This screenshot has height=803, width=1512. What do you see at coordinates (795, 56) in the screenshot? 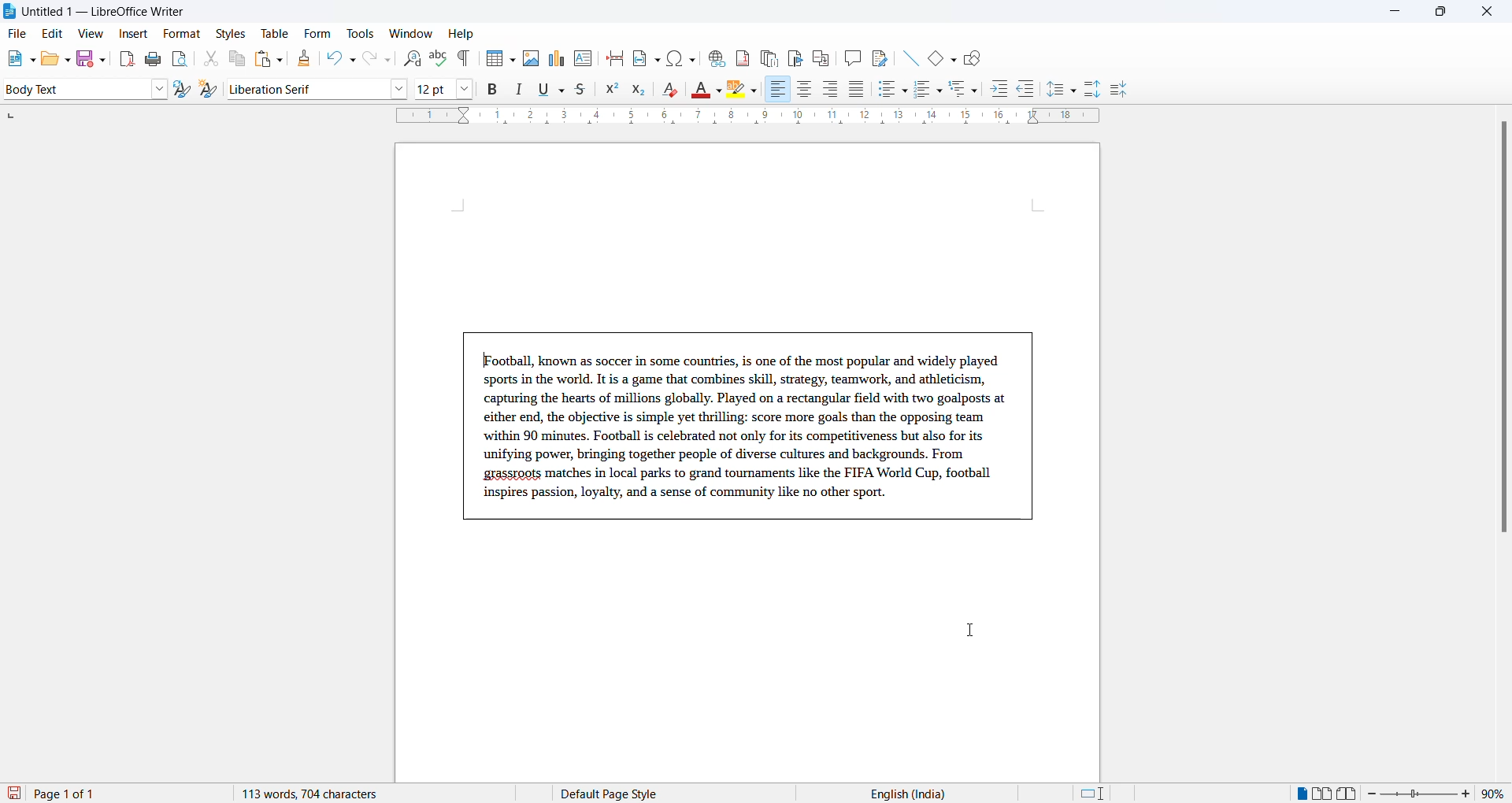
I see `insert bookmarks` at bounding box center [795, 56].